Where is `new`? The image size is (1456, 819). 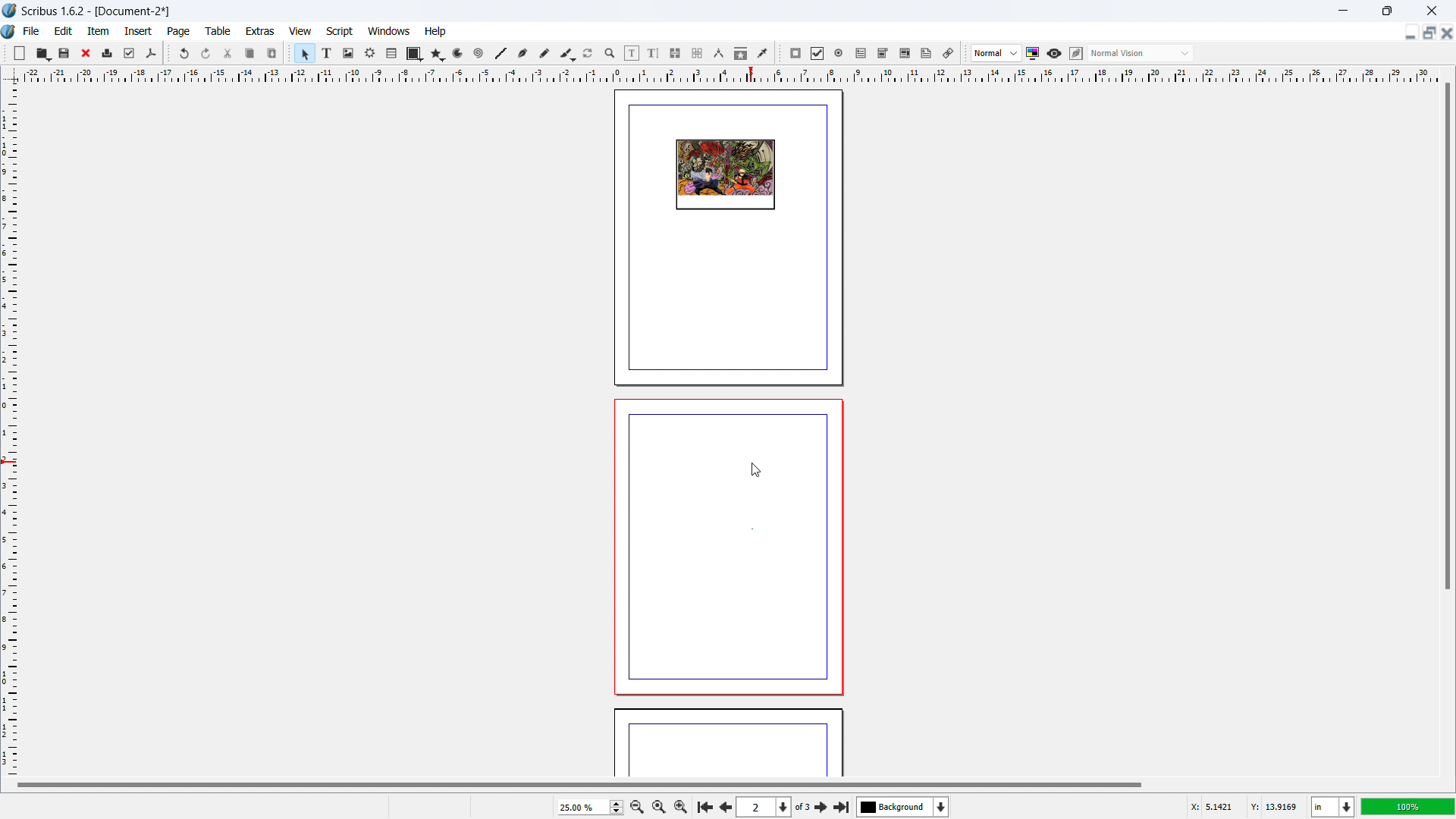 new is located at coordinates (20, 53).